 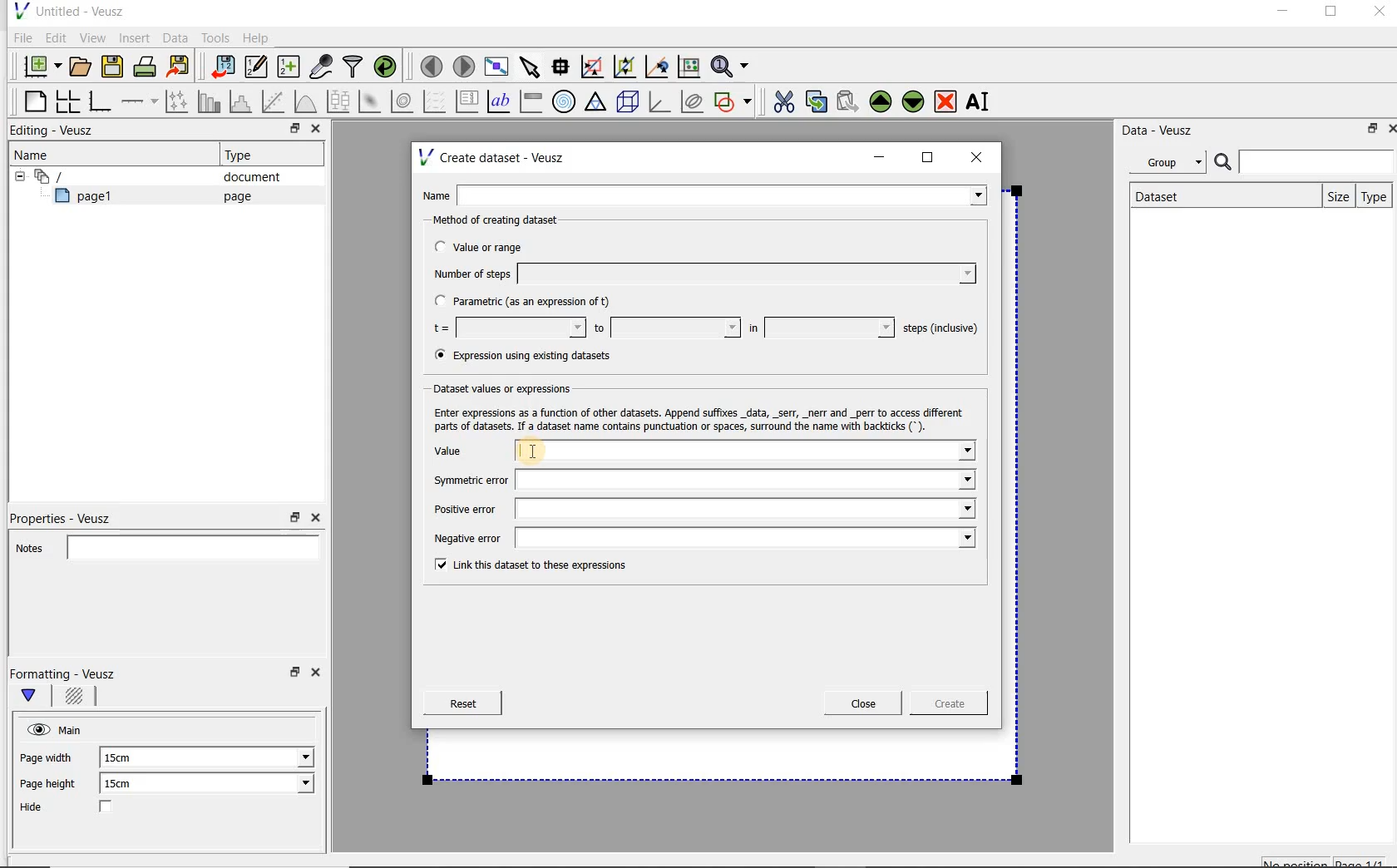 I want to click on 15cm, so click(x=126, y=758).